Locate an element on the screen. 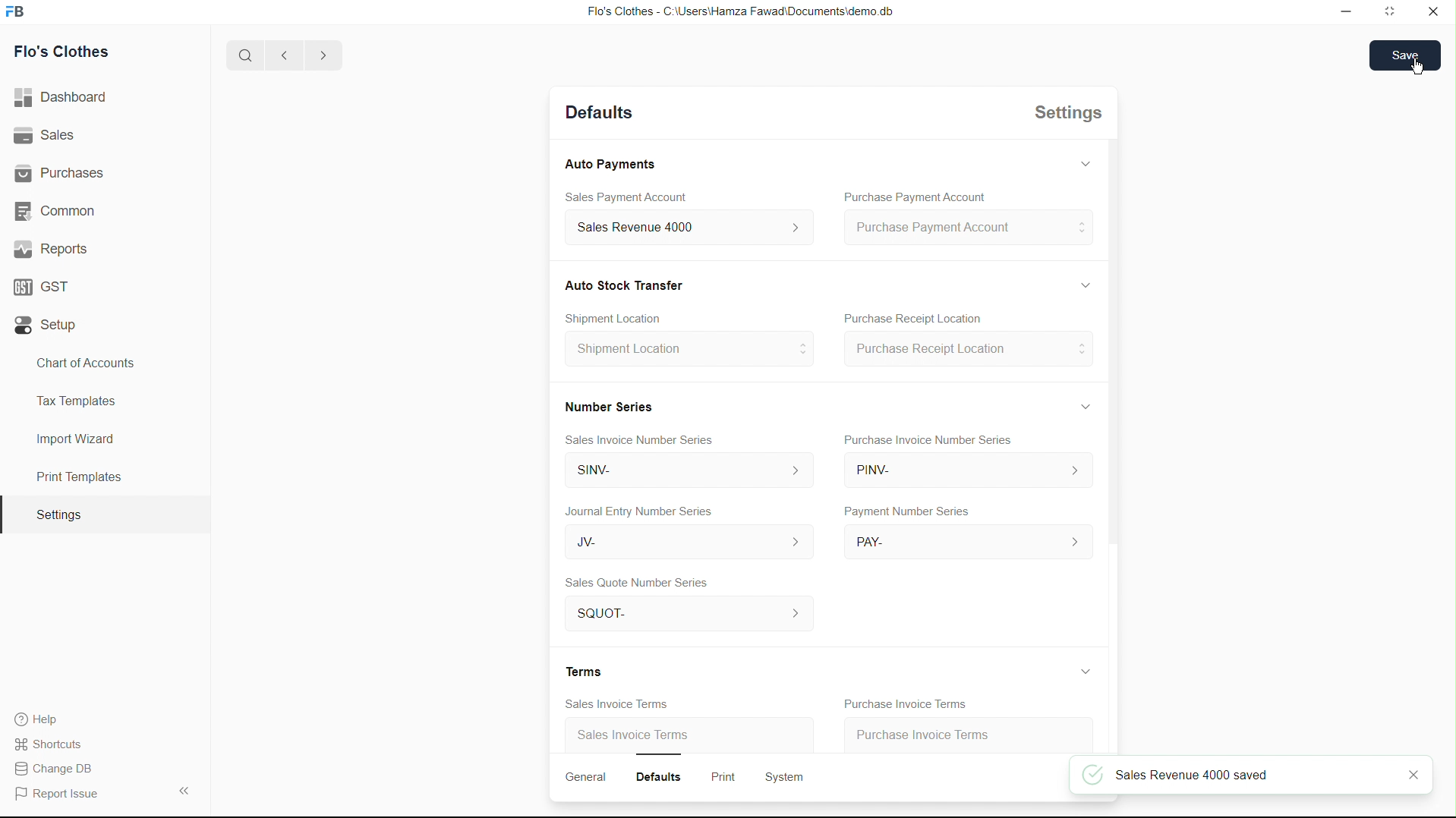  System is located at coordinates (786, 779).